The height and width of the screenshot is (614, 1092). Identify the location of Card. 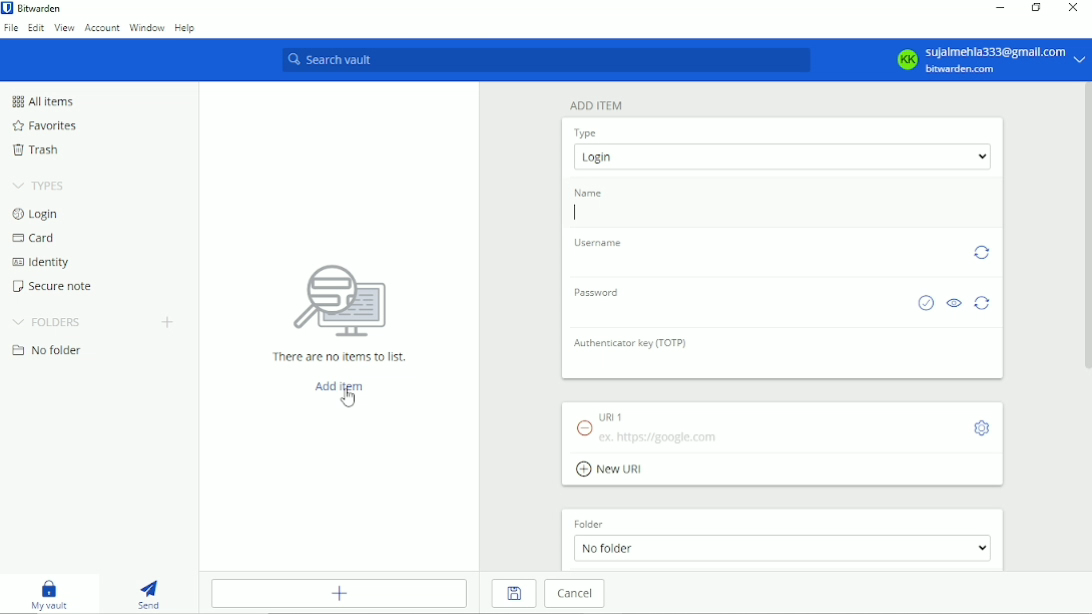
(37, 237).